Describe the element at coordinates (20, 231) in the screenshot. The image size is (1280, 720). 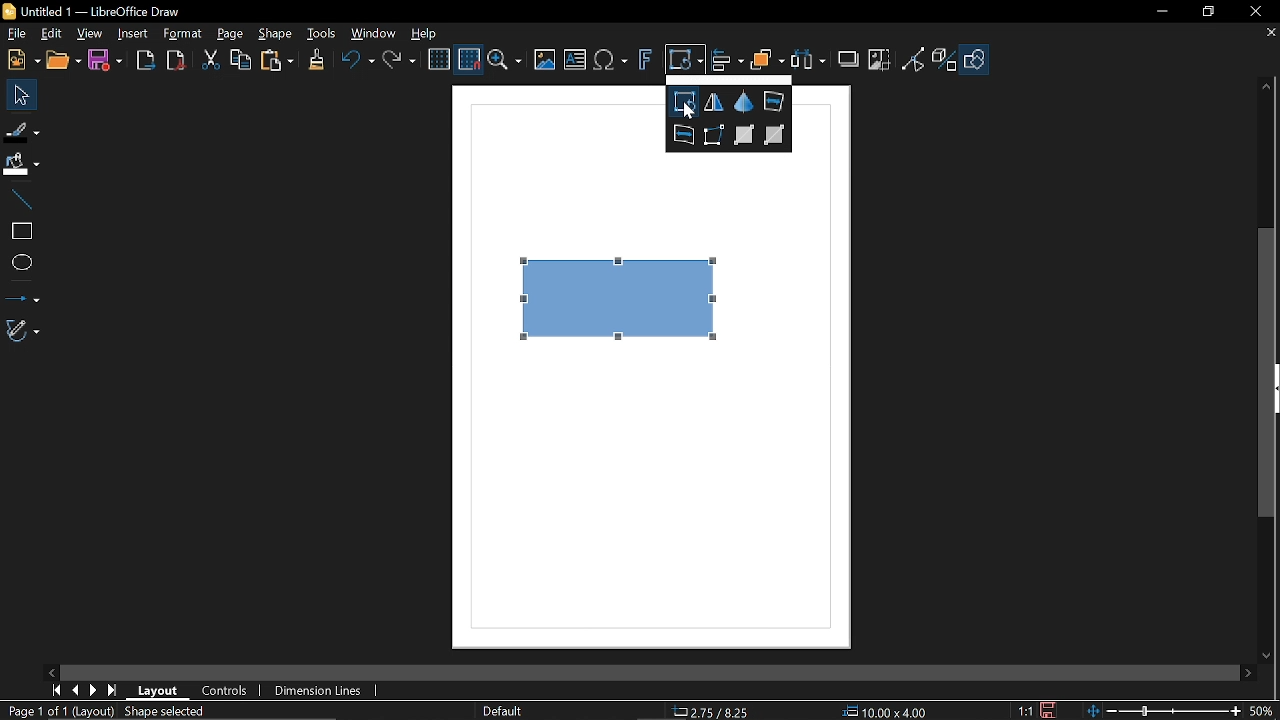
I see `Rectangle` at that location.